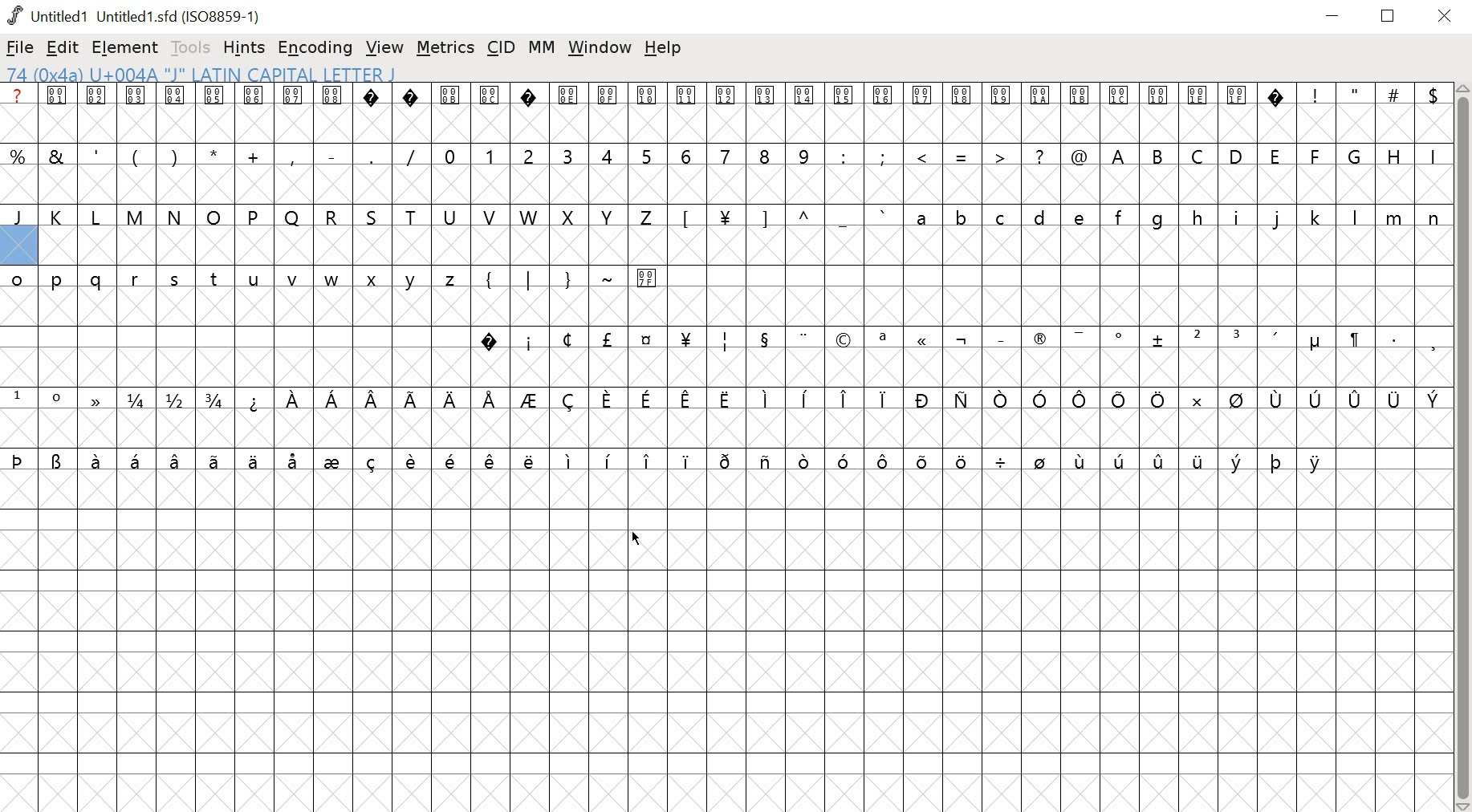  What do you see at coordinates (93, 398) in the screenshot?
I see `symbol` at bounding box center [93, 398].